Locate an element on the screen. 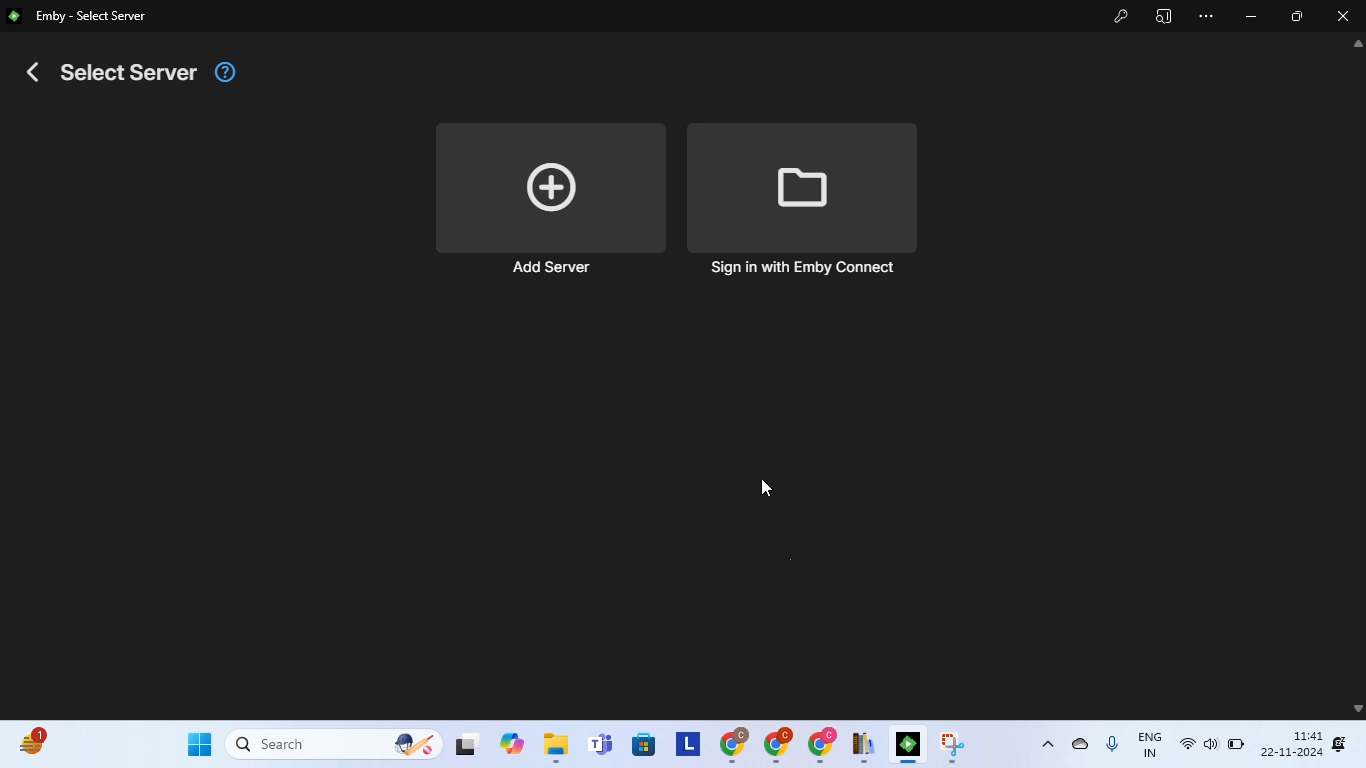 The height and width of the screenshot is (768, 1366). open sidebar search is located at coordinates (1164, 16).